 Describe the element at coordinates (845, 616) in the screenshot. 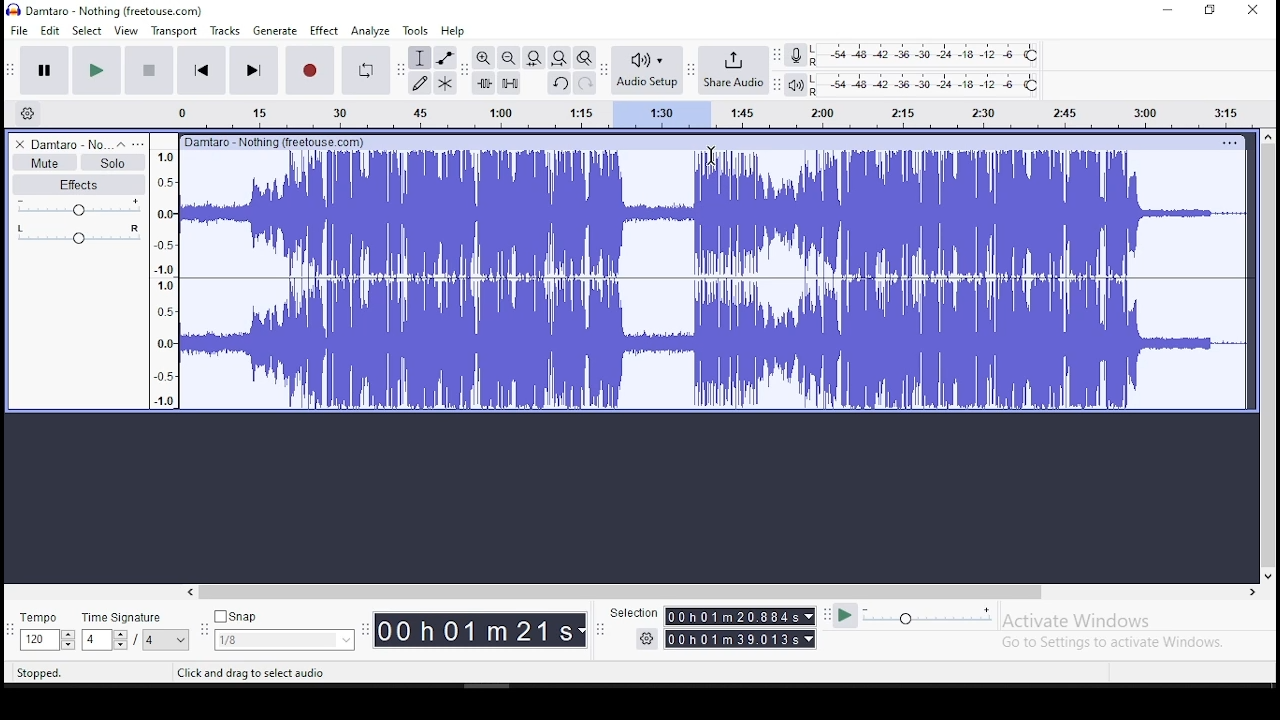

I see `Play` at that location.